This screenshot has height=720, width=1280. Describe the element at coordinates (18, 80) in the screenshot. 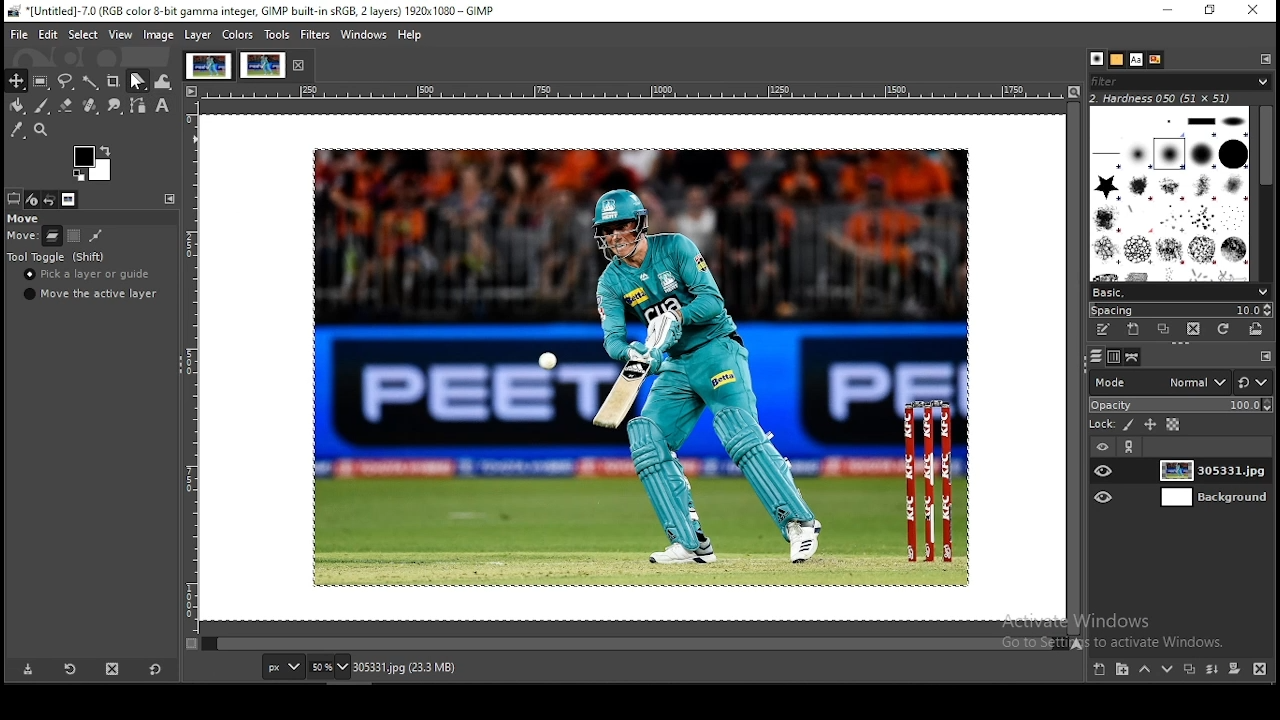

I see `selection tool` at that location.